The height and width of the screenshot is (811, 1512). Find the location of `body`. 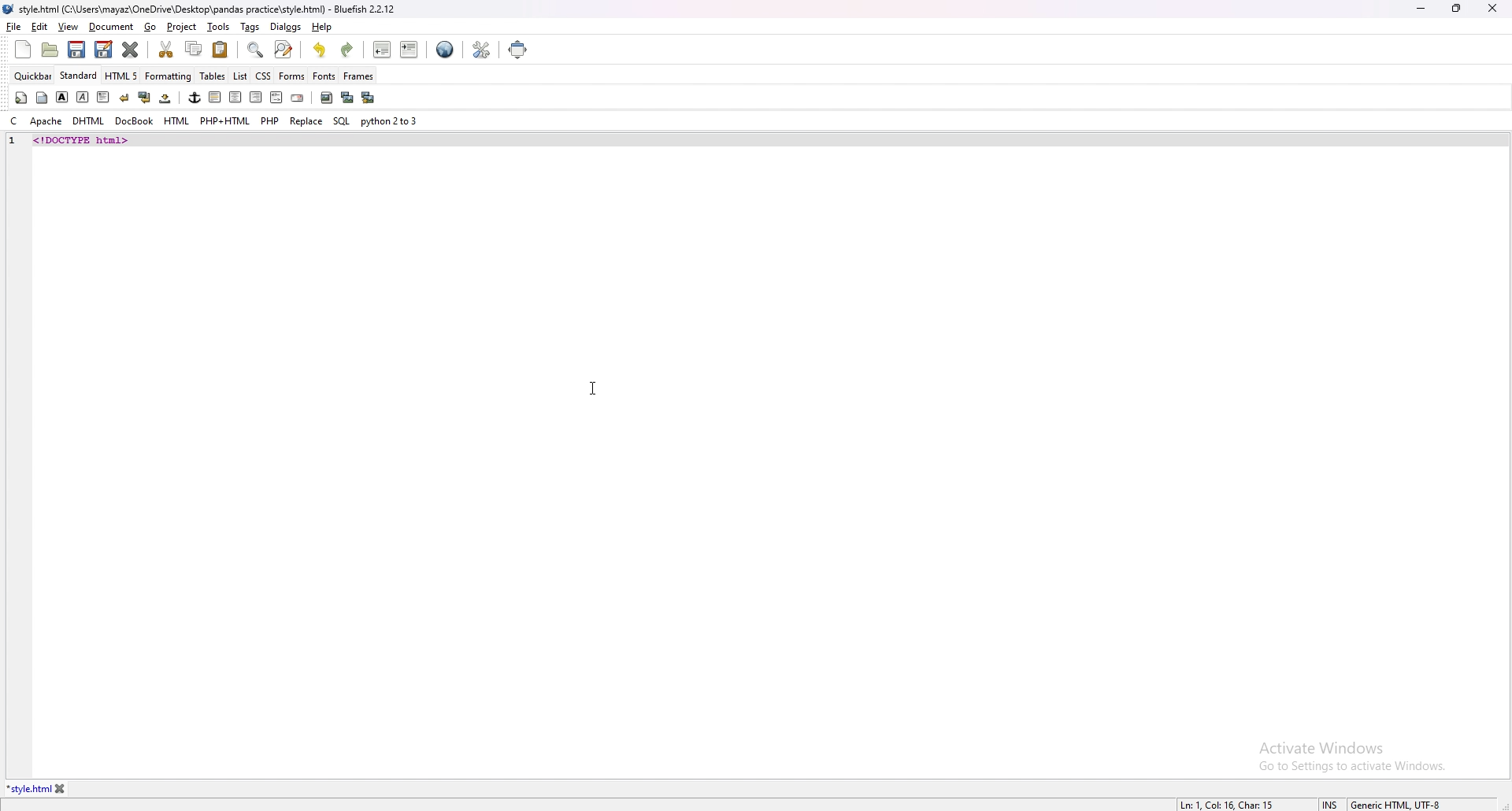

body is located at coordinates (43, 96).